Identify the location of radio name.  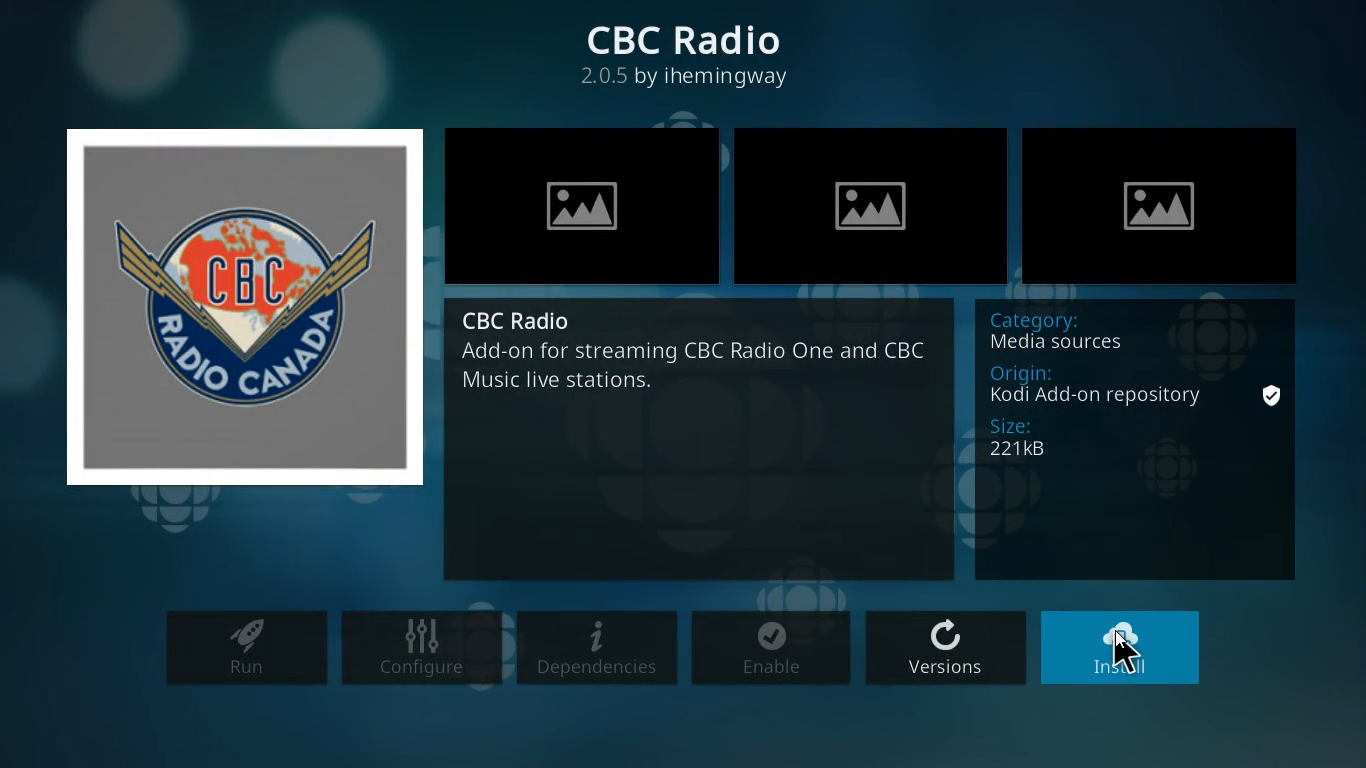
(693, 39).